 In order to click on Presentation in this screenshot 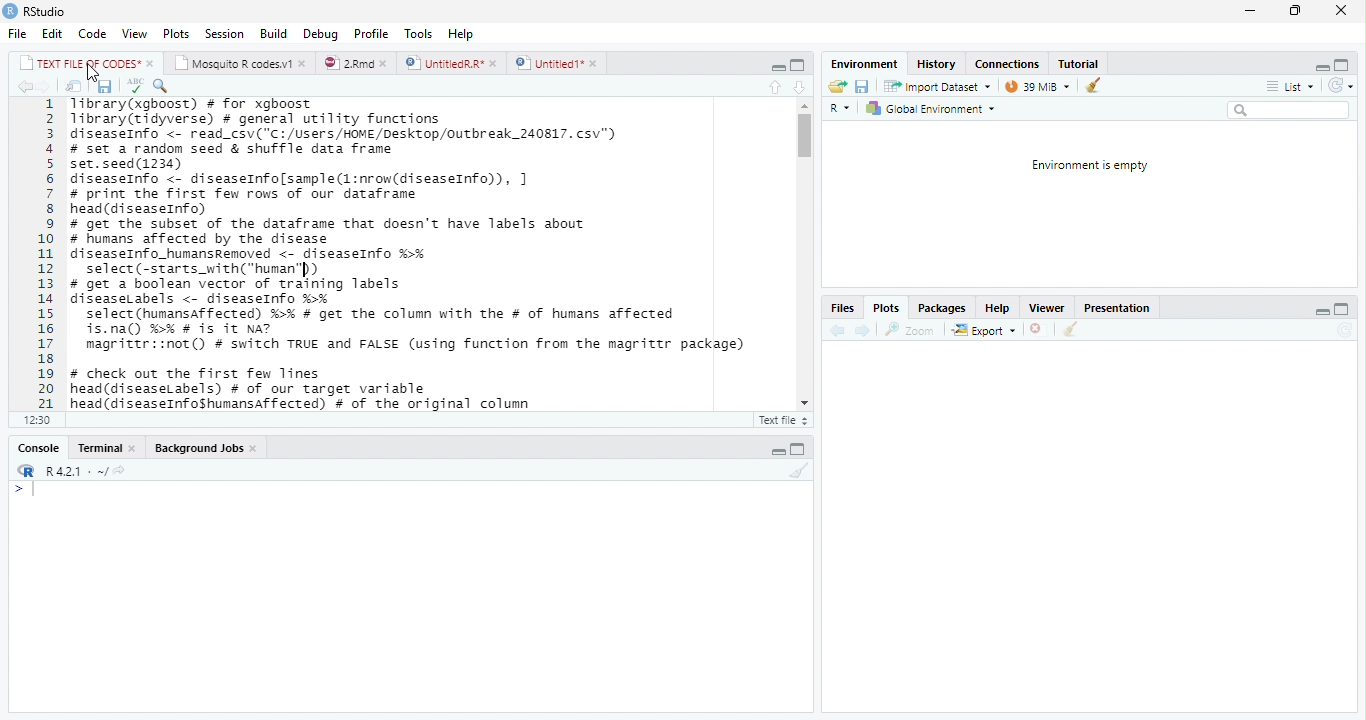, I will do `click(1119, 306)`.